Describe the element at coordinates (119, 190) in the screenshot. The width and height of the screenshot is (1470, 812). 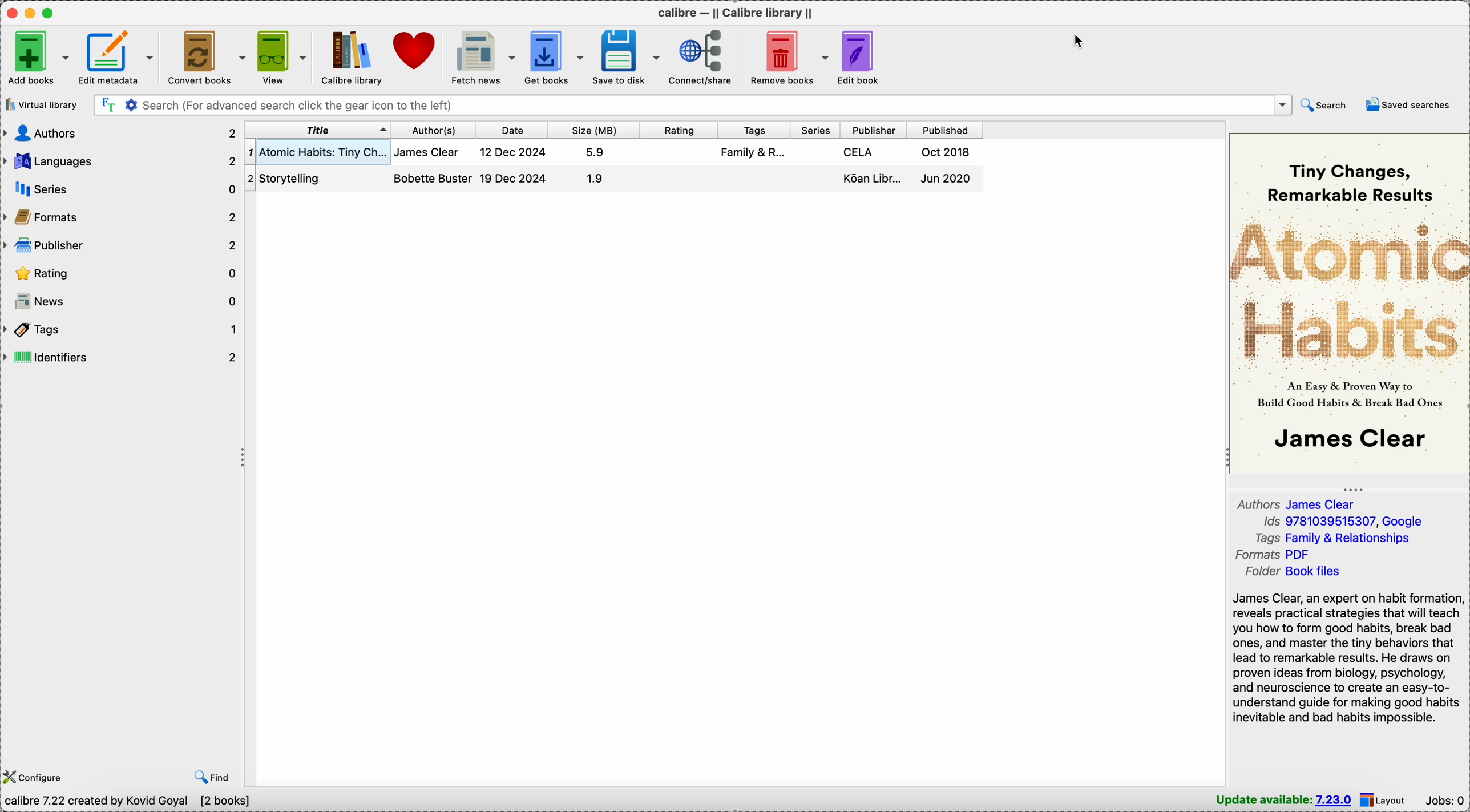
I see `series` at that location.